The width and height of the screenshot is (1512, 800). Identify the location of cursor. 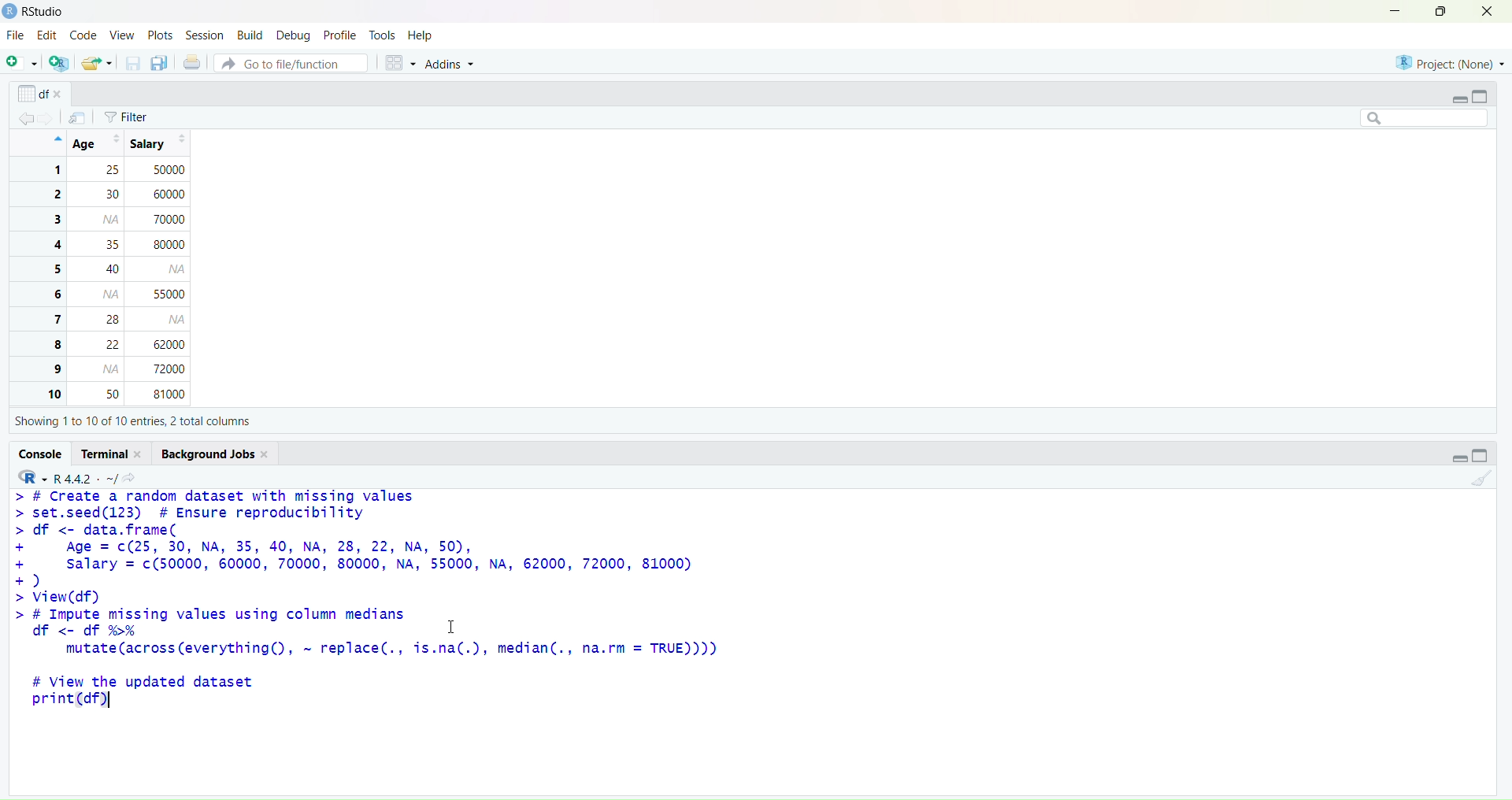
(452, 628).